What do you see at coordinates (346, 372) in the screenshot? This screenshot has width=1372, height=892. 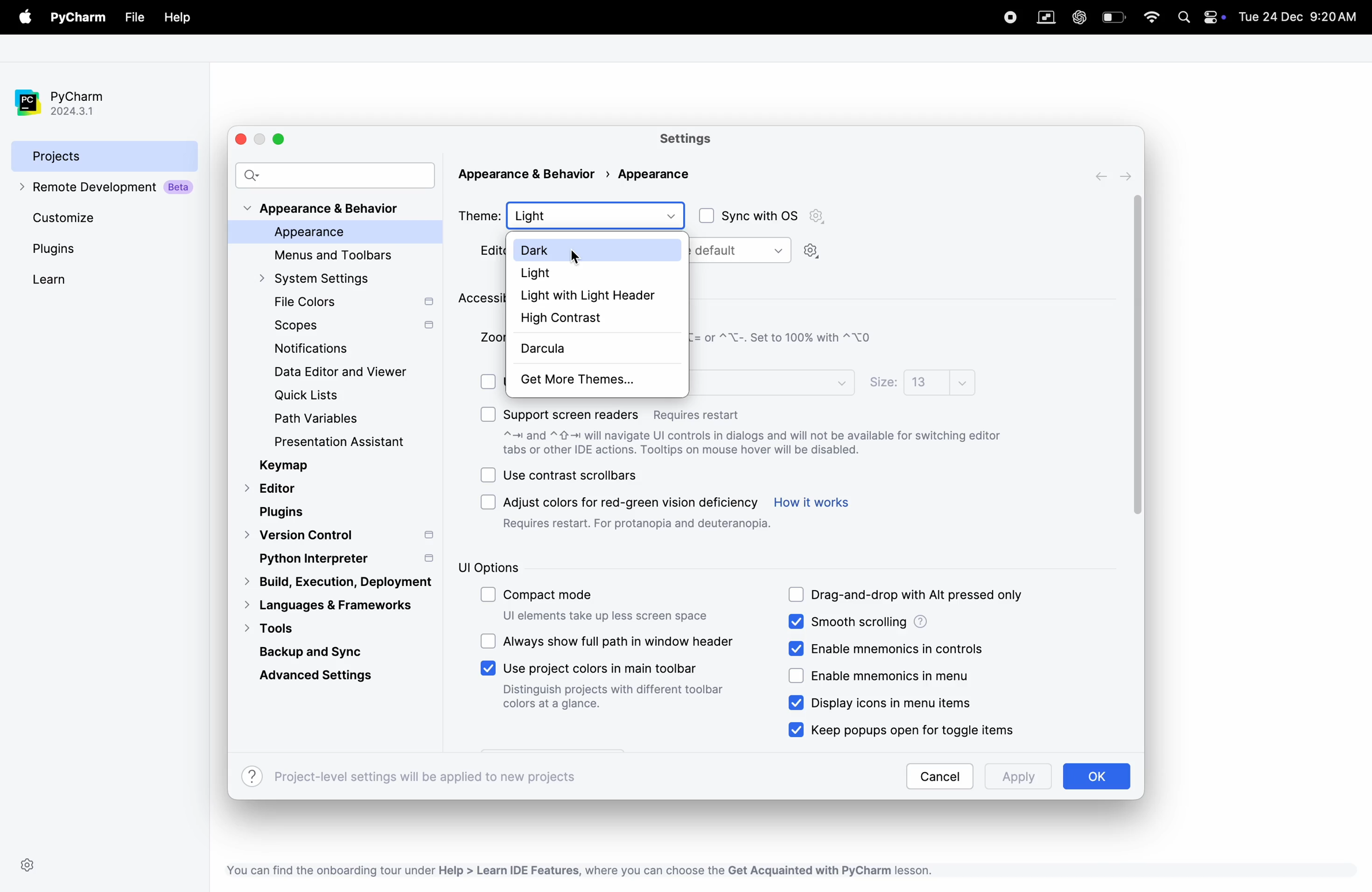 I see `data editor and viewer` at bounding box center [346, 372].